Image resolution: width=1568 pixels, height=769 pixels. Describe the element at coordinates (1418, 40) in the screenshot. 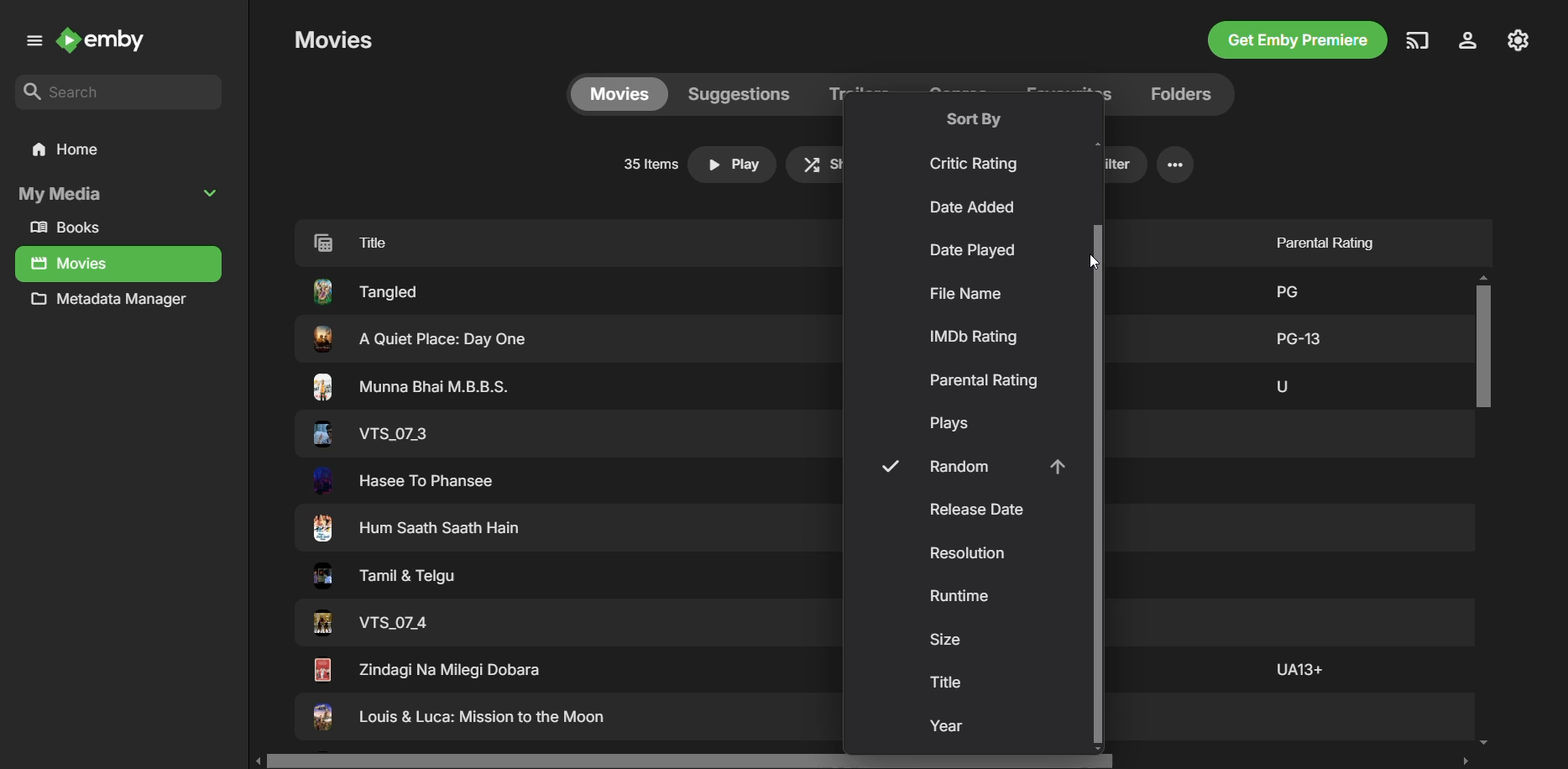

I see `Play on another device` at that location.